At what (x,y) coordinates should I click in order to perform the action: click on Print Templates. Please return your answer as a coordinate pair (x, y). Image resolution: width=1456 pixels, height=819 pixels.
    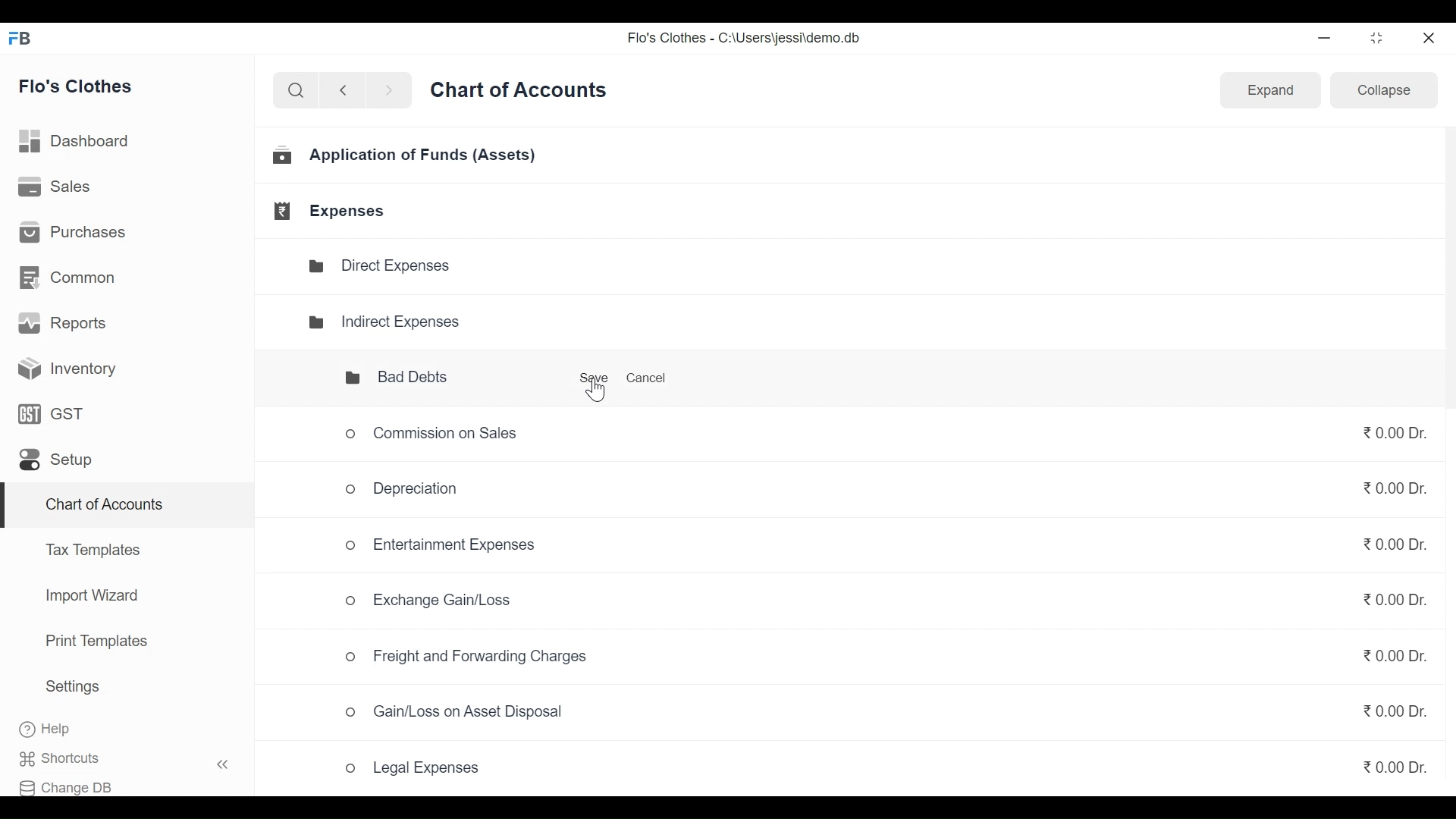
    Looking at the image, I should click on (95, 641).